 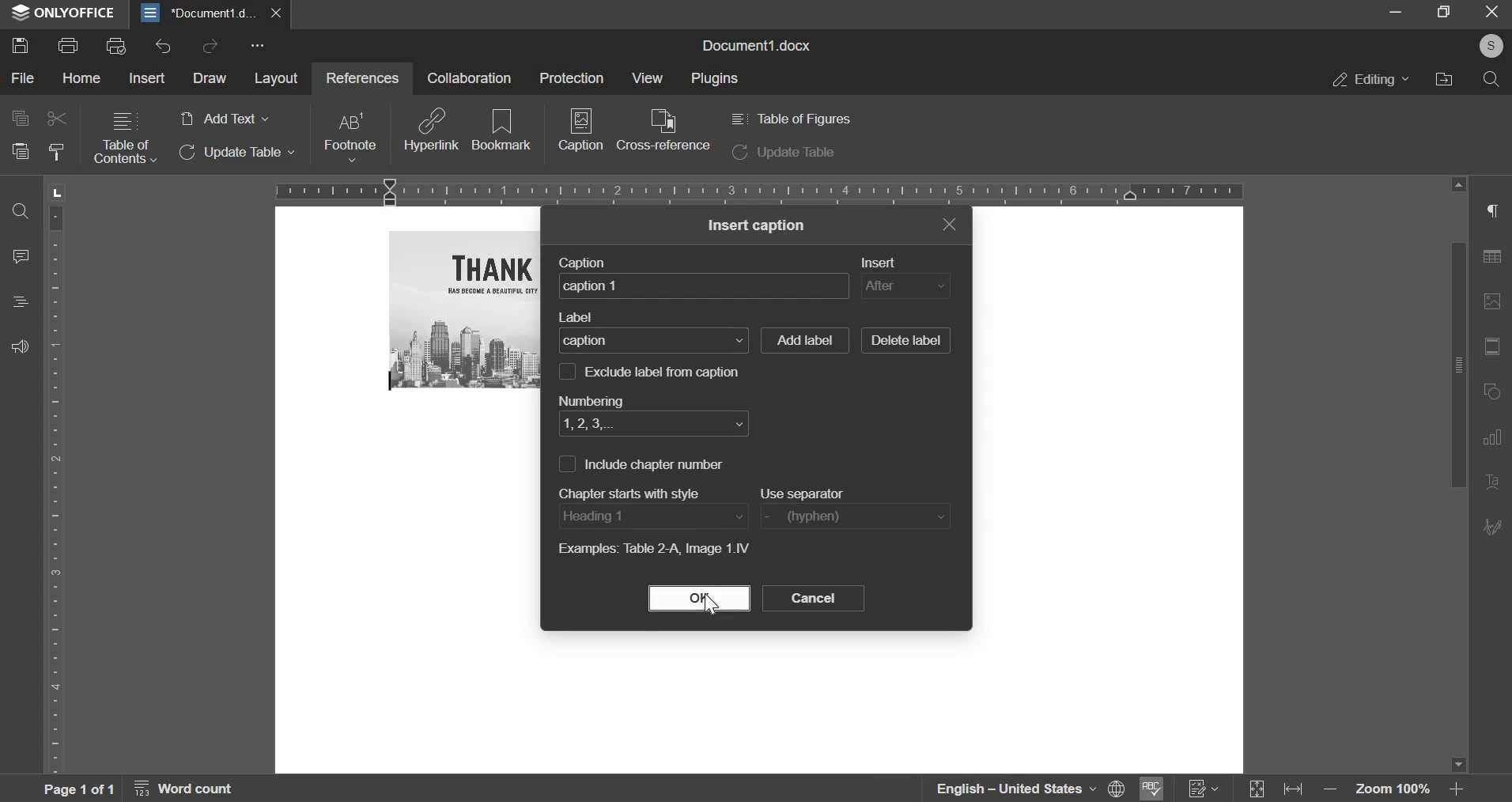 What do you see at coordinates (20, 346) in the screenshot?
I see `feedback` at bounding box center [20, 346].